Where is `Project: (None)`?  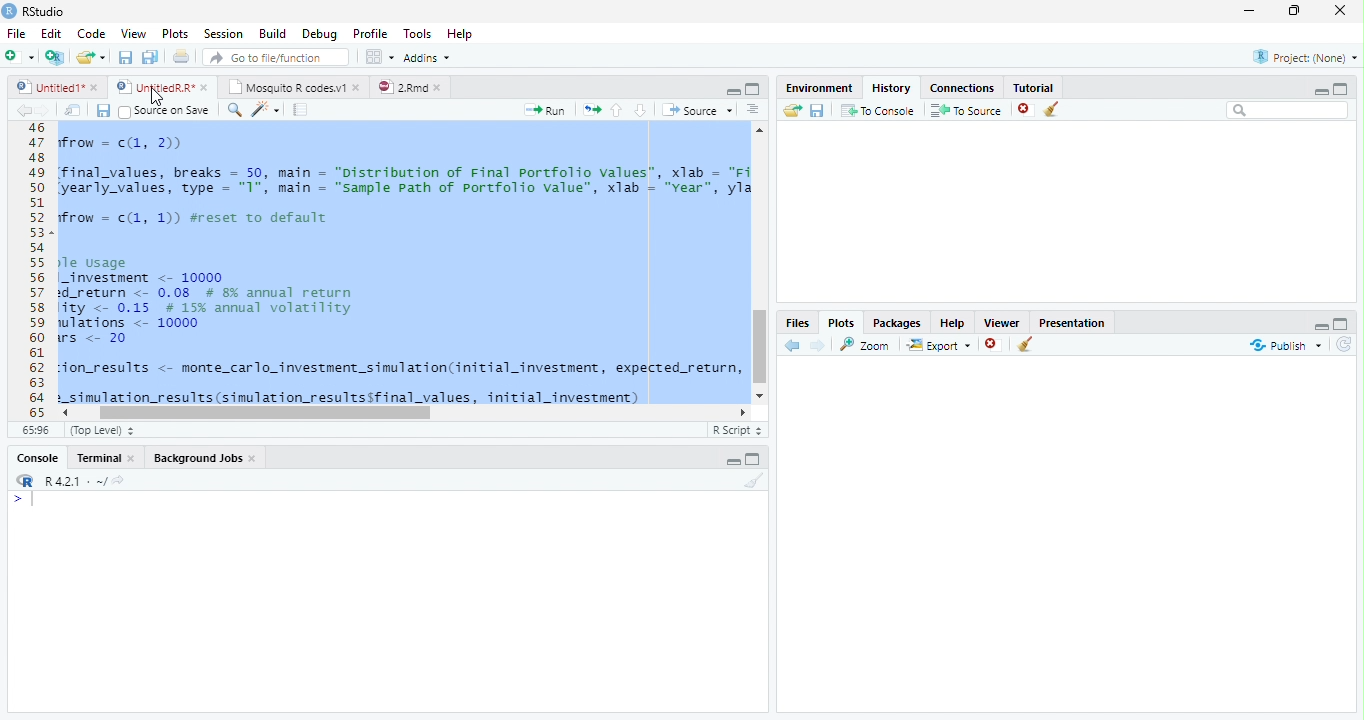 Project: (None) is located at coordinates (1301, 58).